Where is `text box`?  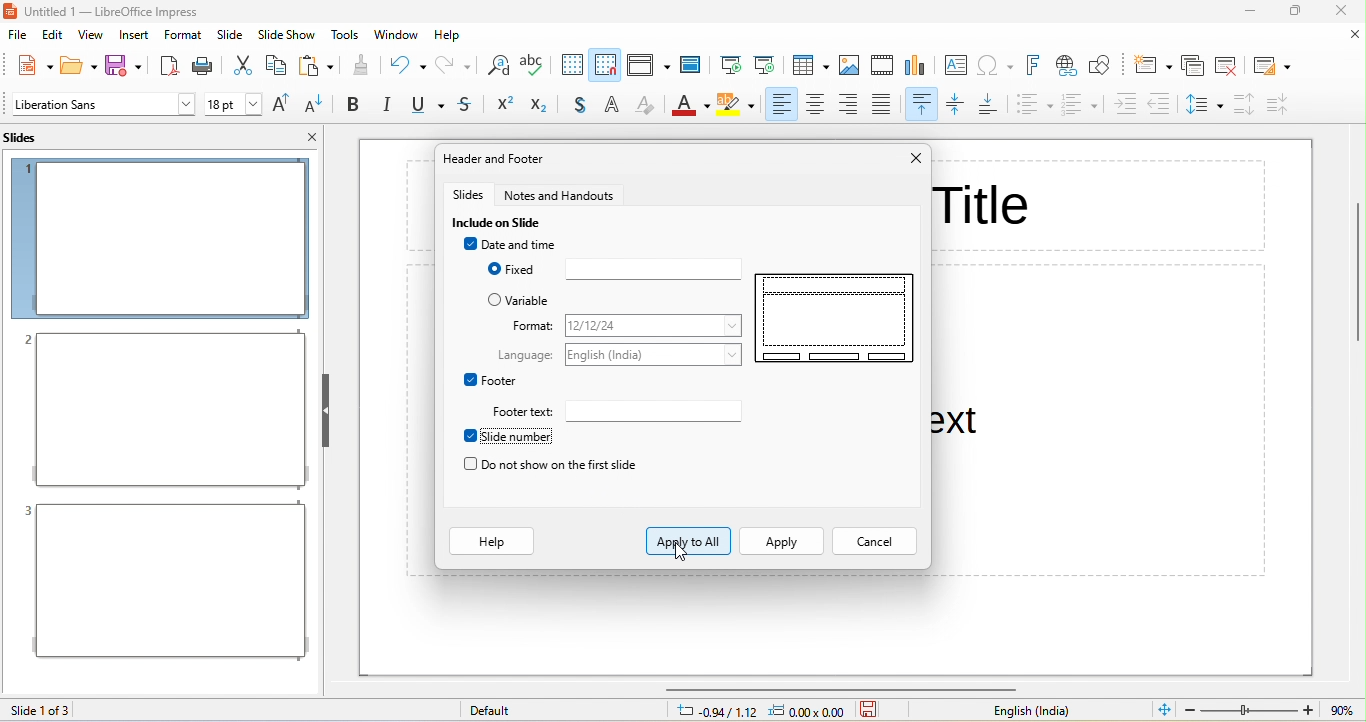
text box is located at coordinates (955, 66).